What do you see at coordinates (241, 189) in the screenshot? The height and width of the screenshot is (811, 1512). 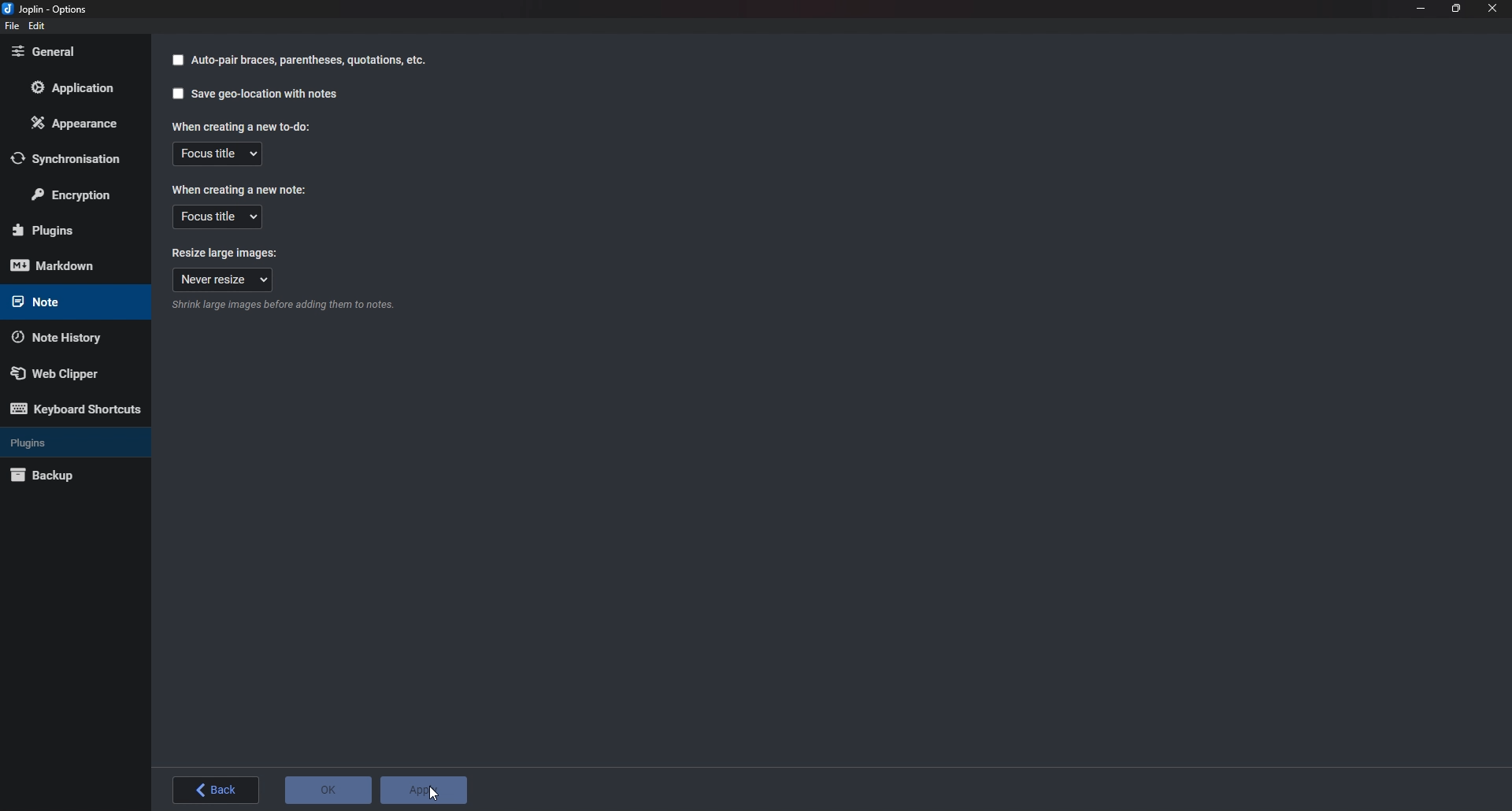 I see `When creating a new note` at bounding box center [241, 189].